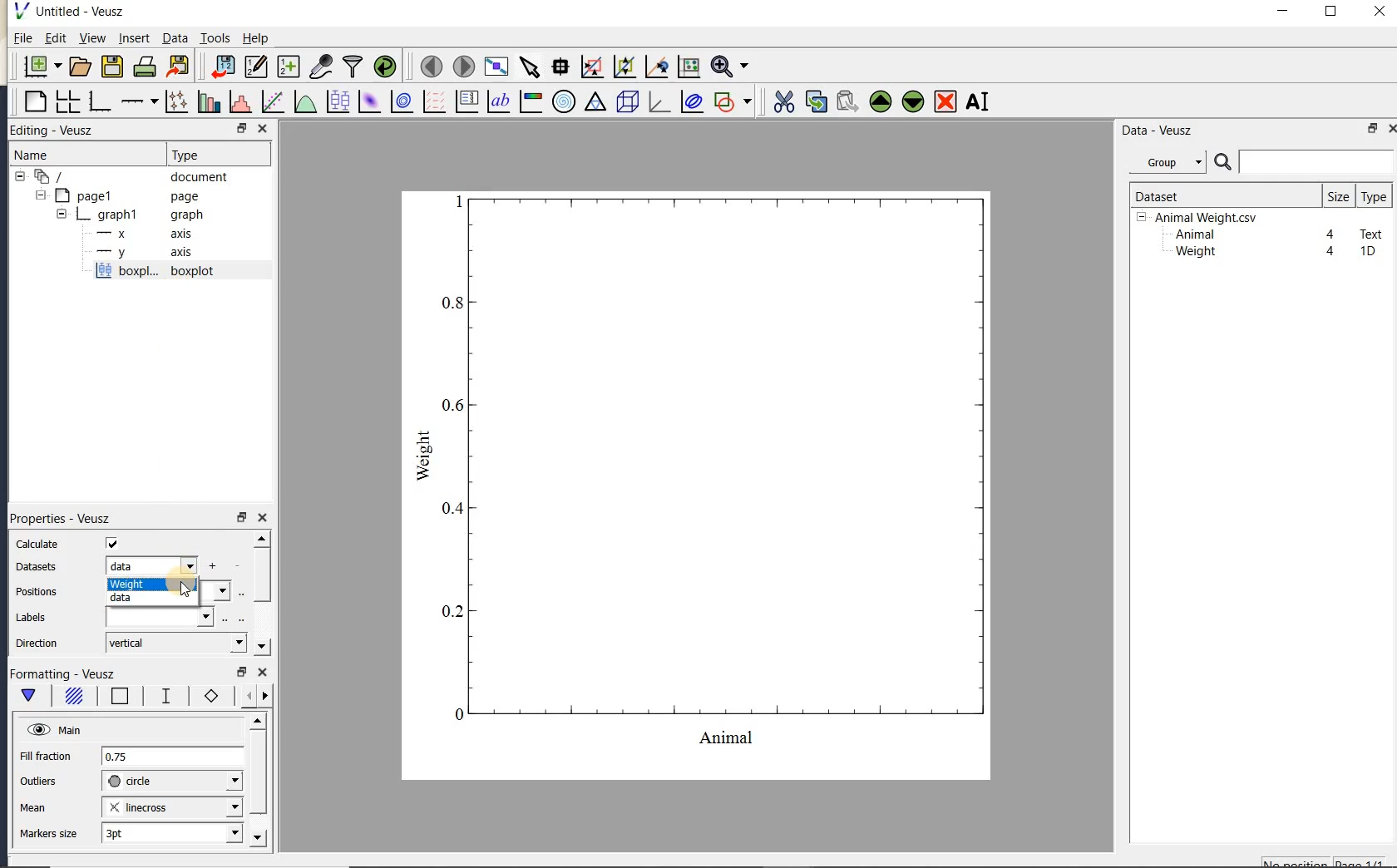 The height and width of the screenshot is (868, 1397). I want to click on move the selected widget down, so click(913, 101).